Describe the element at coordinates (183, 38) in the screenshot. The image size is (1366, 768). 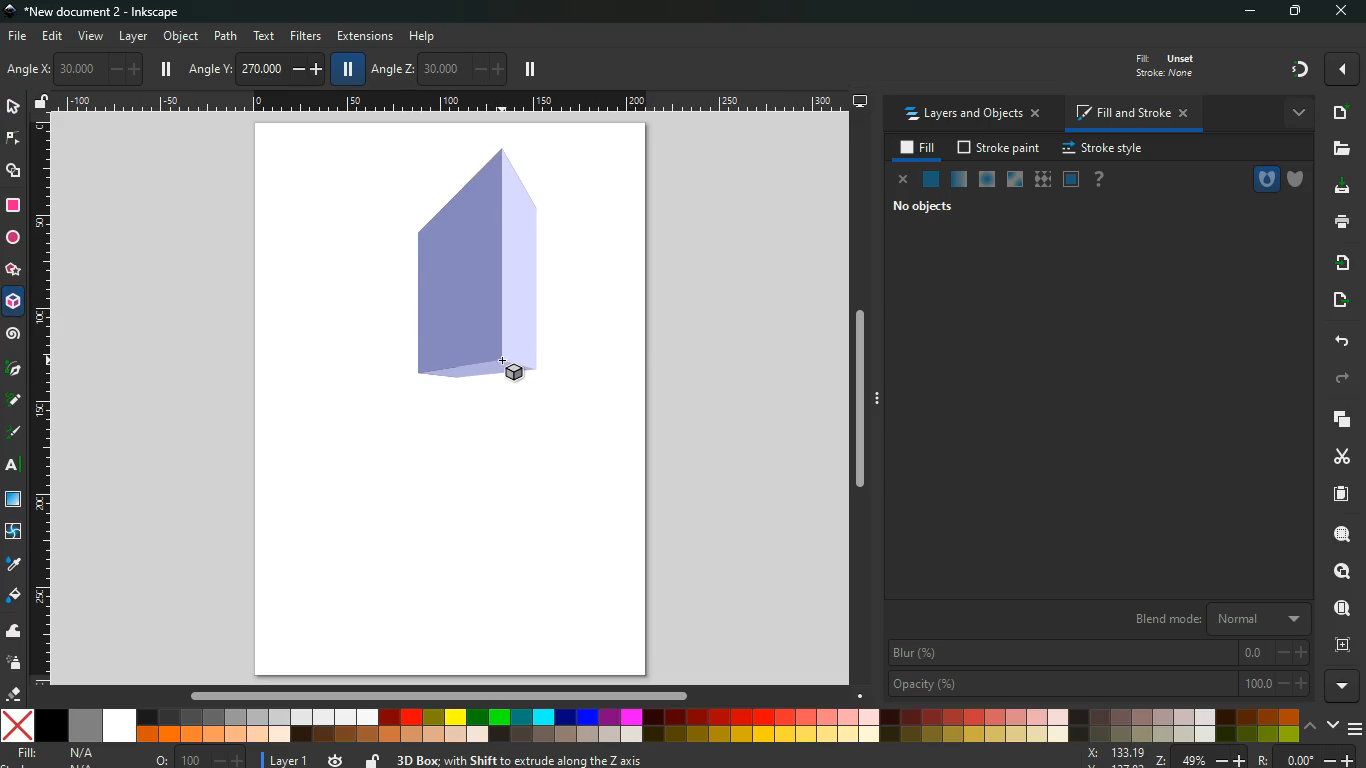
I see `object` at that location.